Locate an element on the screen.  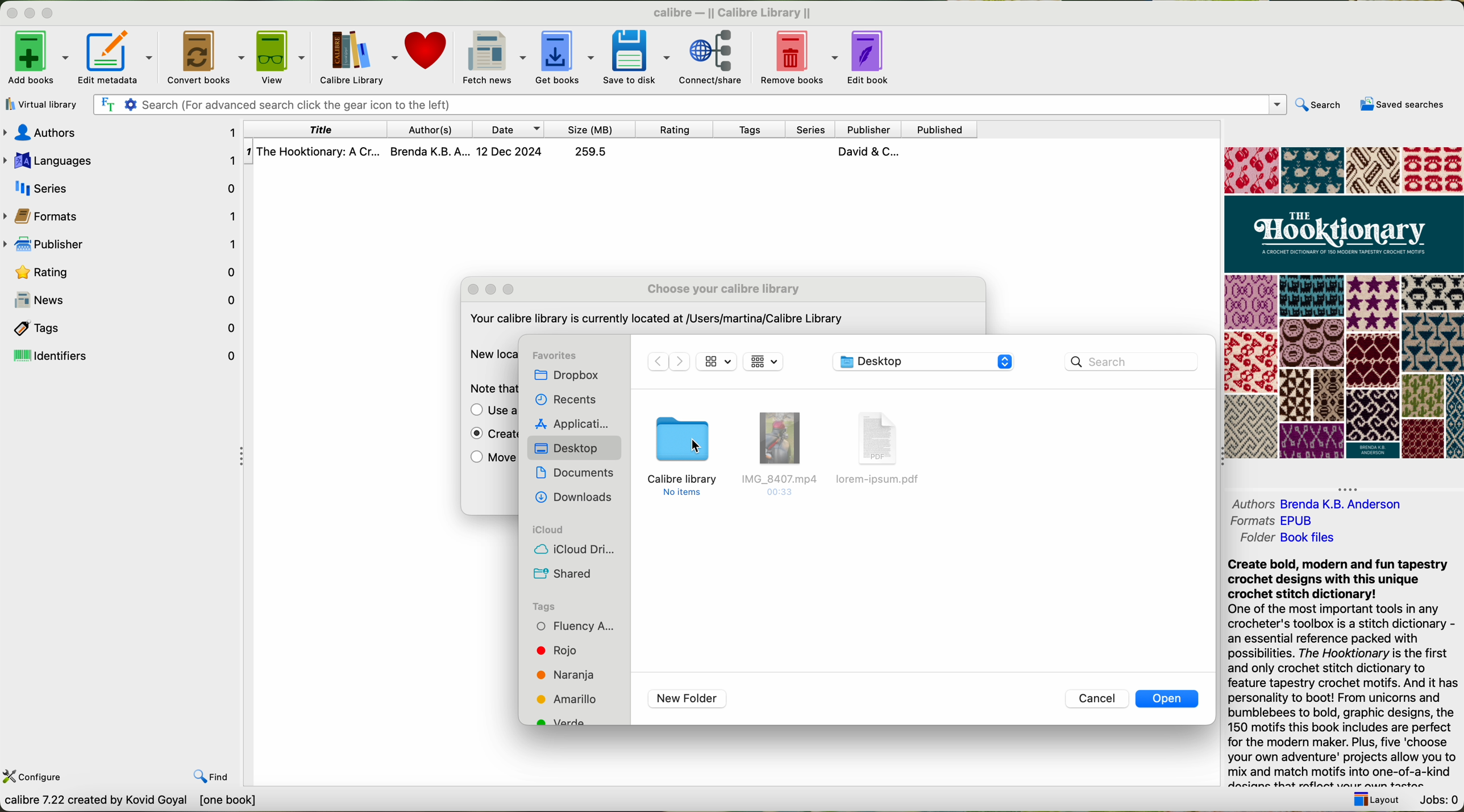
donate is located at coordinates (429, 52).